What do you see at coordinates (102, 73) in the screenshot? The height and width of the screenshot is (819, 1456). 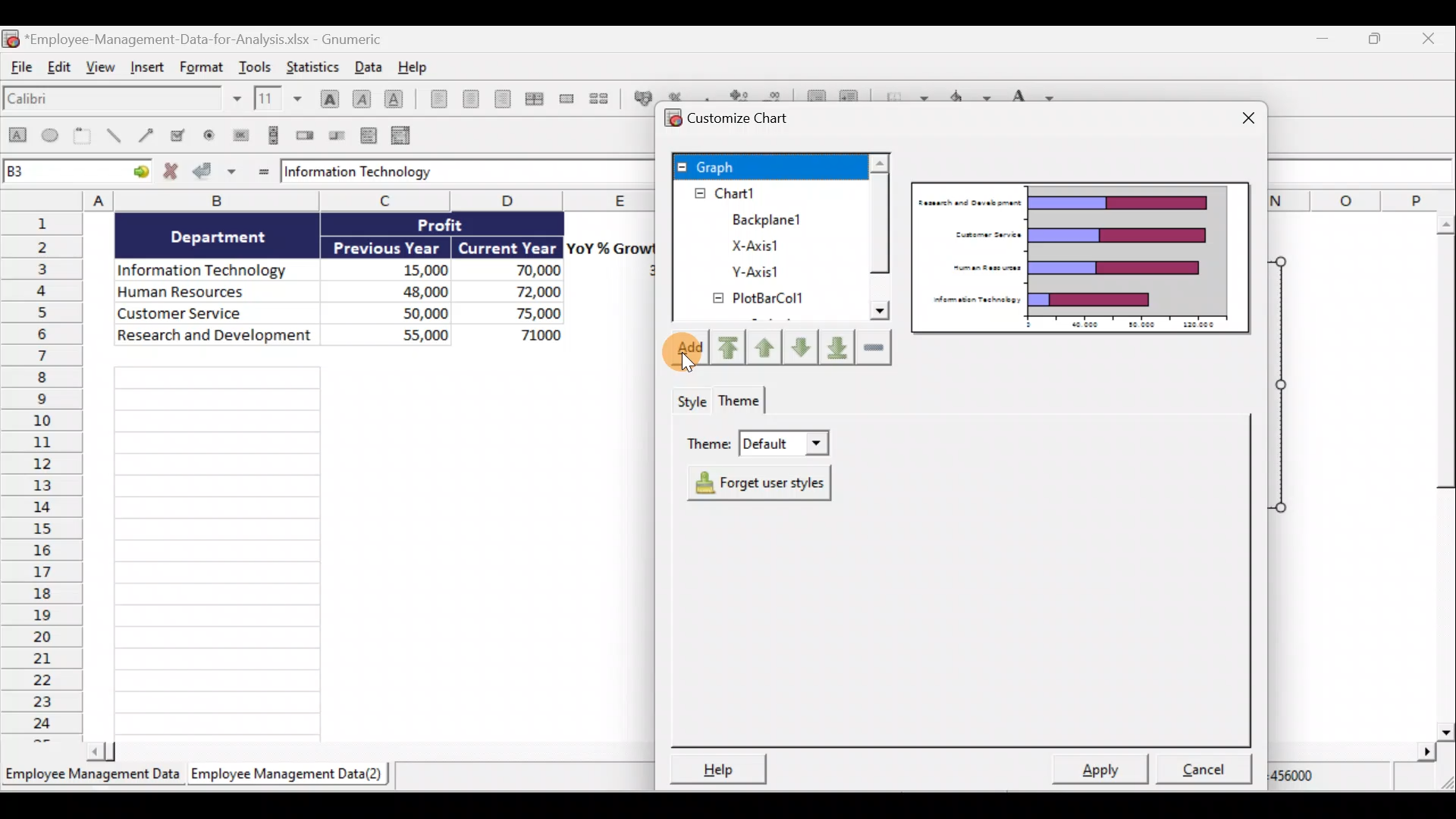 I see `View` at bounding box center [102, 73].